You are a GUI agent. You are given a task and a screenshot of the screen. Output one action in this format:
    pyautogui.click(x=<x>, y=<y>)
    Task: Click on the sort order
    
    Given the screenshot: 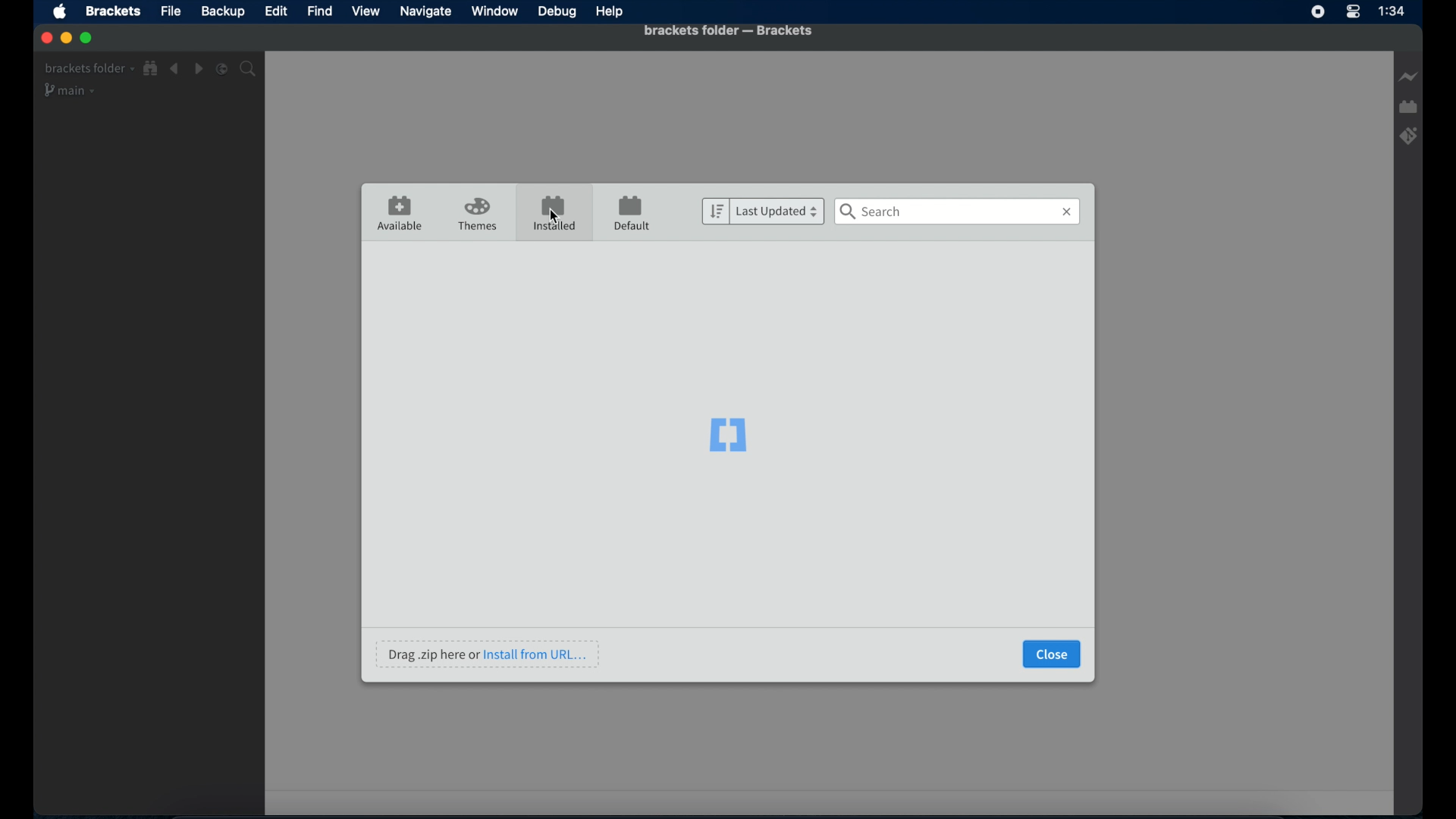 What is the action you would take?
    pyautogui.click(x=715, y=212)
    